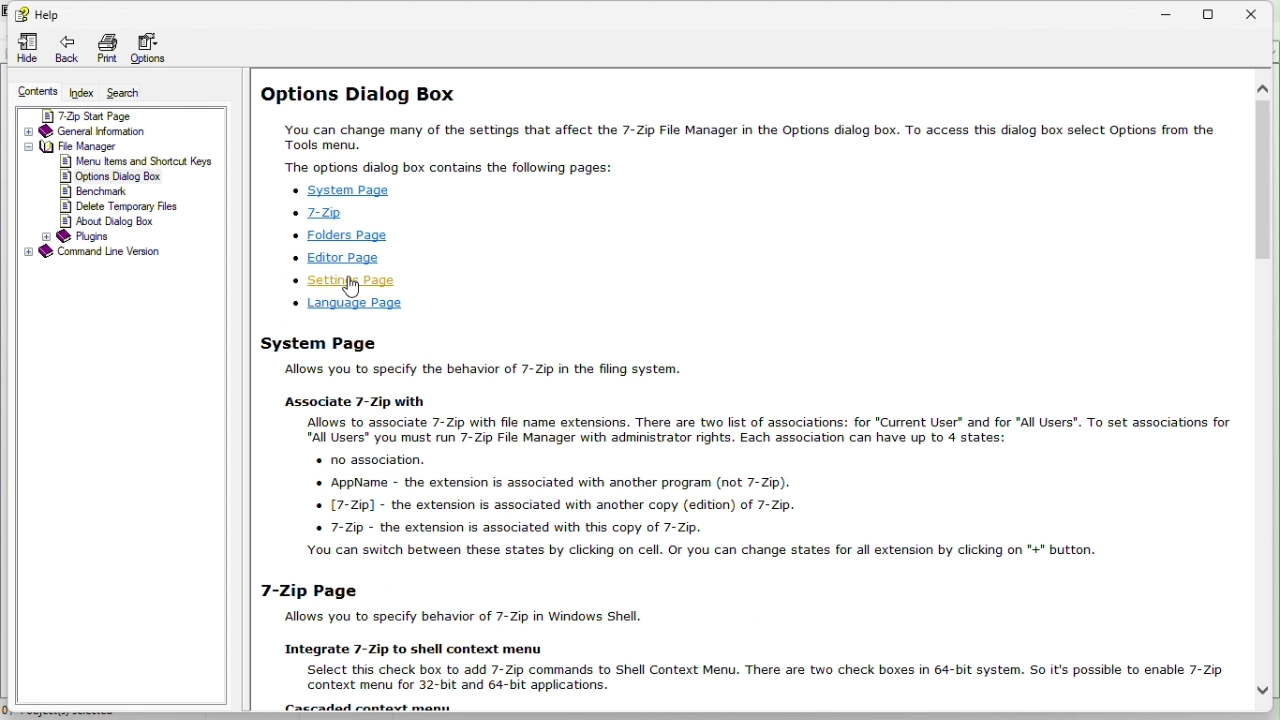  I want to click on File manager, so click(76, 145).